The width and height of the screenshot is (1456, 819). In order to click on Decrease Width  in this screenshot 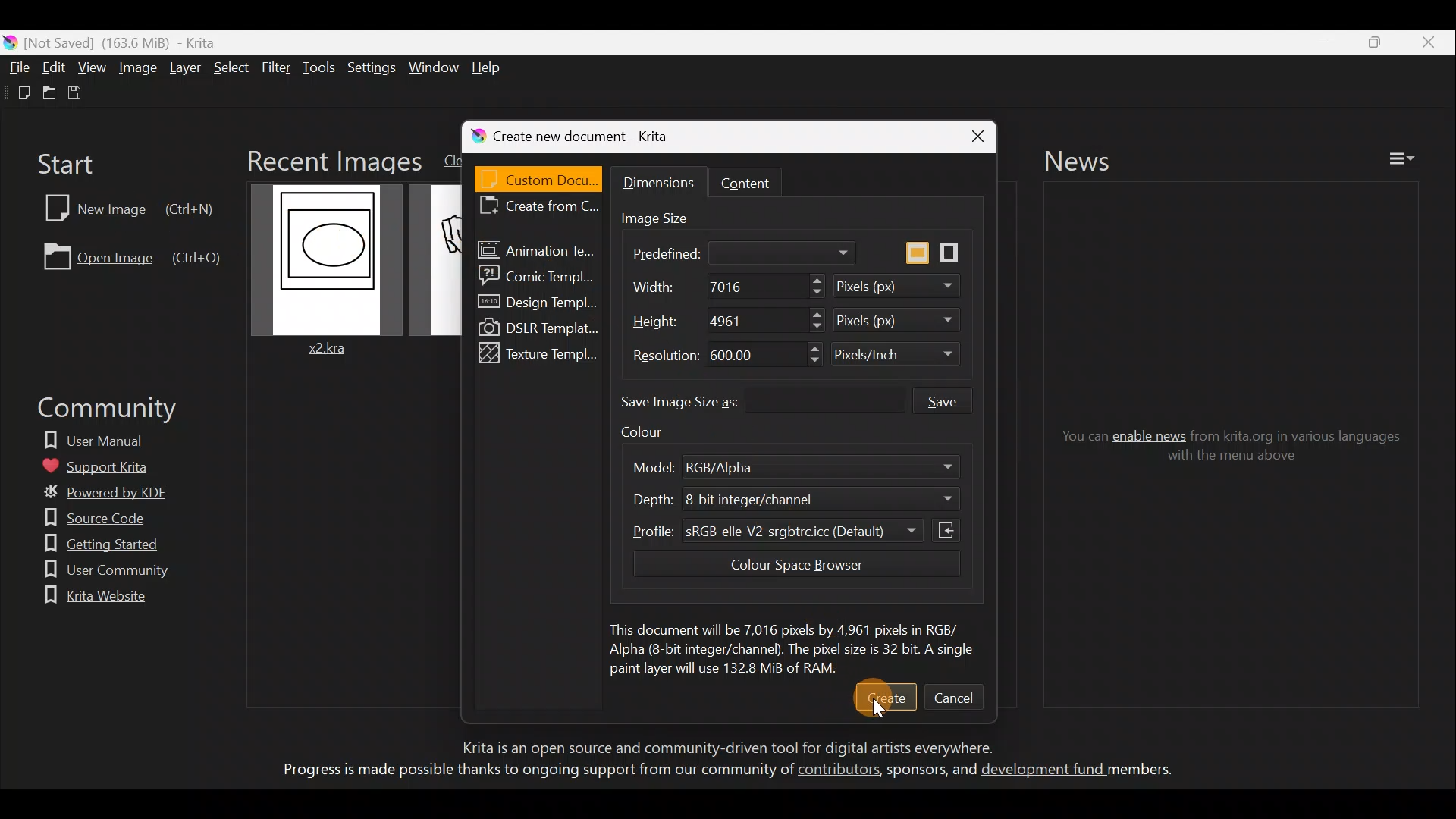, I will do `click(818, 293)`.